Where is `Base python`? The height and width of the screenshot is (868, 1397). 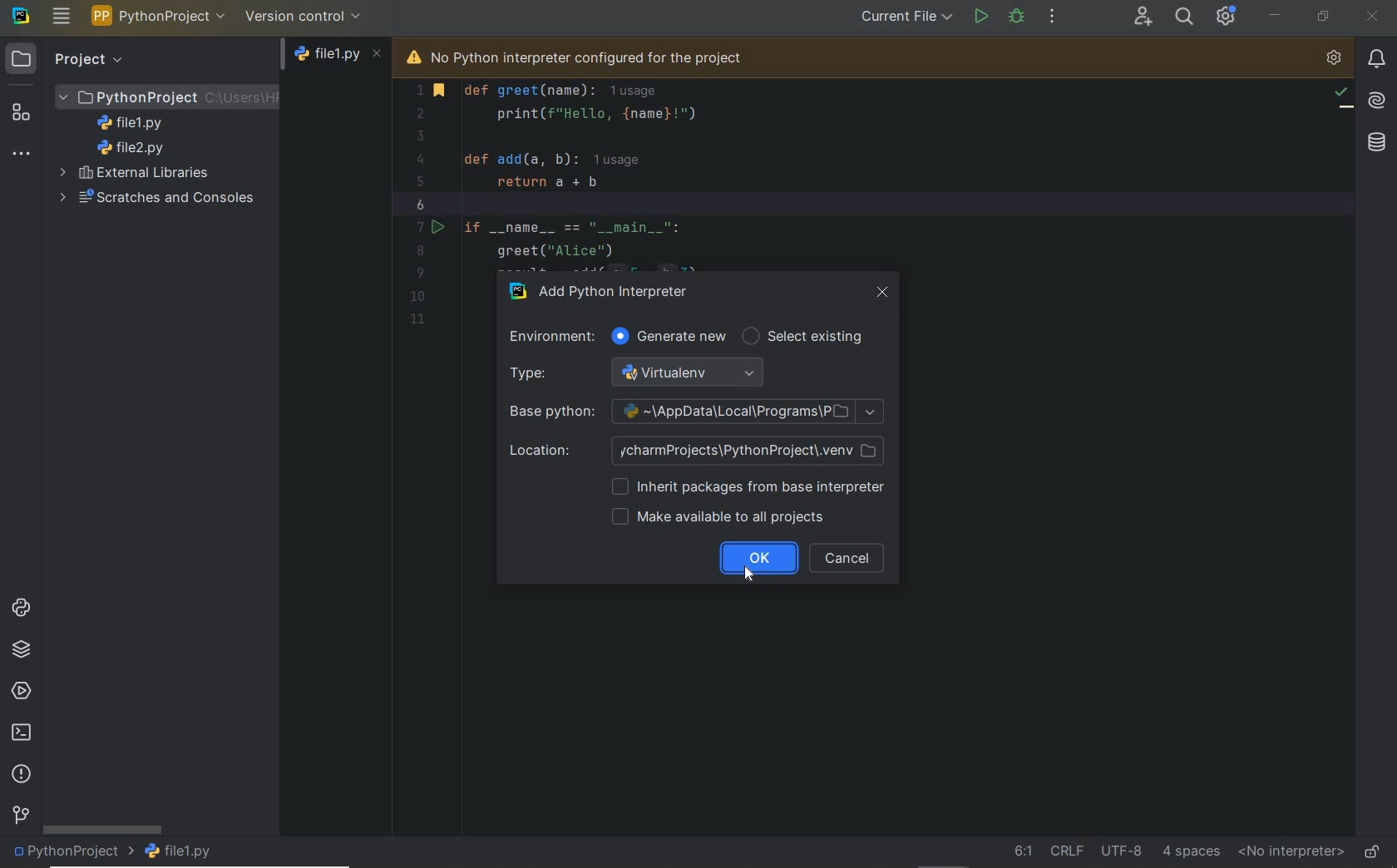
Base python is located at coordinates (697, 412).